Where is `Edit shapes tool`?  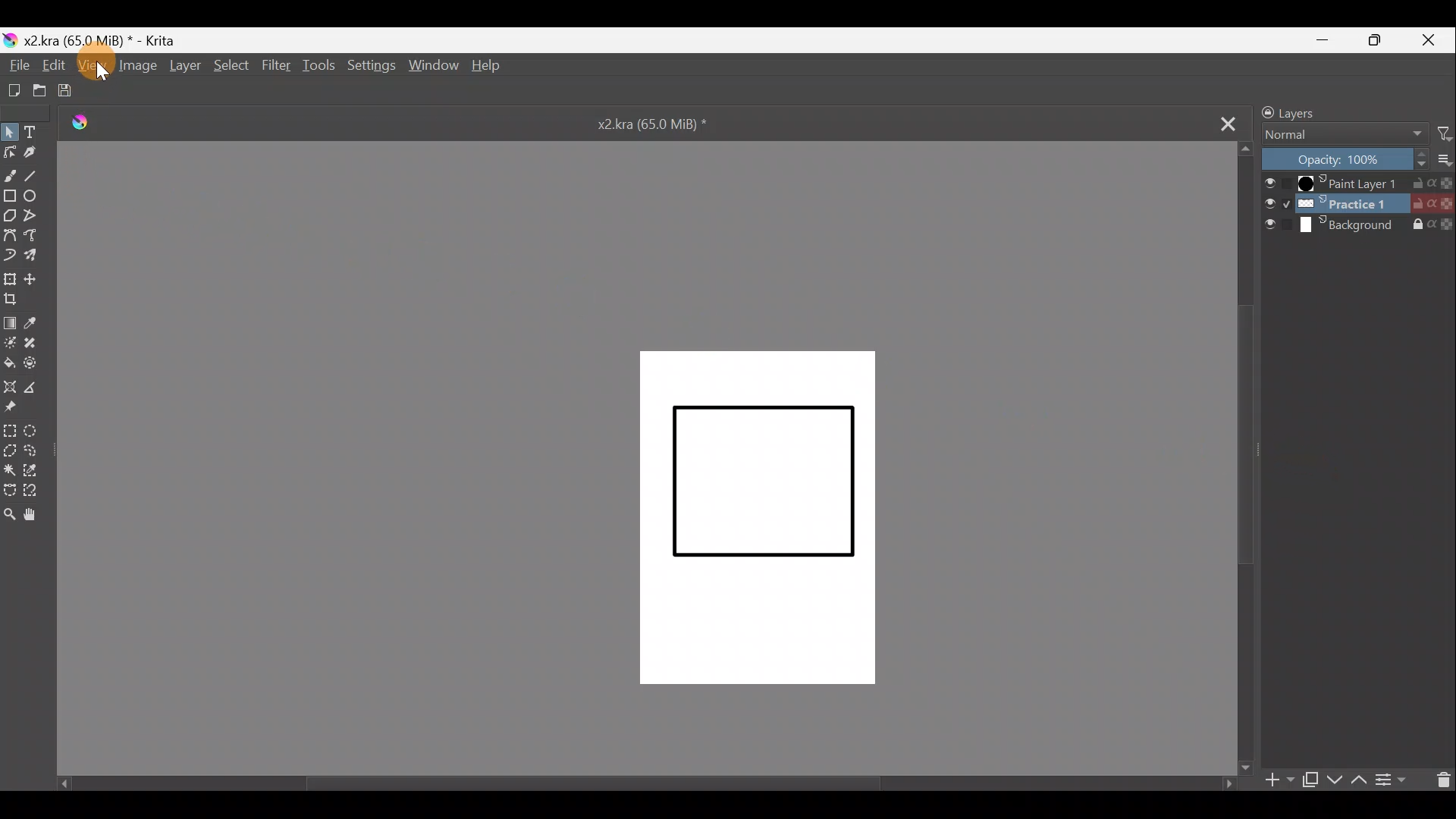
Edit shapes tool is located at coordinates (11, 152).